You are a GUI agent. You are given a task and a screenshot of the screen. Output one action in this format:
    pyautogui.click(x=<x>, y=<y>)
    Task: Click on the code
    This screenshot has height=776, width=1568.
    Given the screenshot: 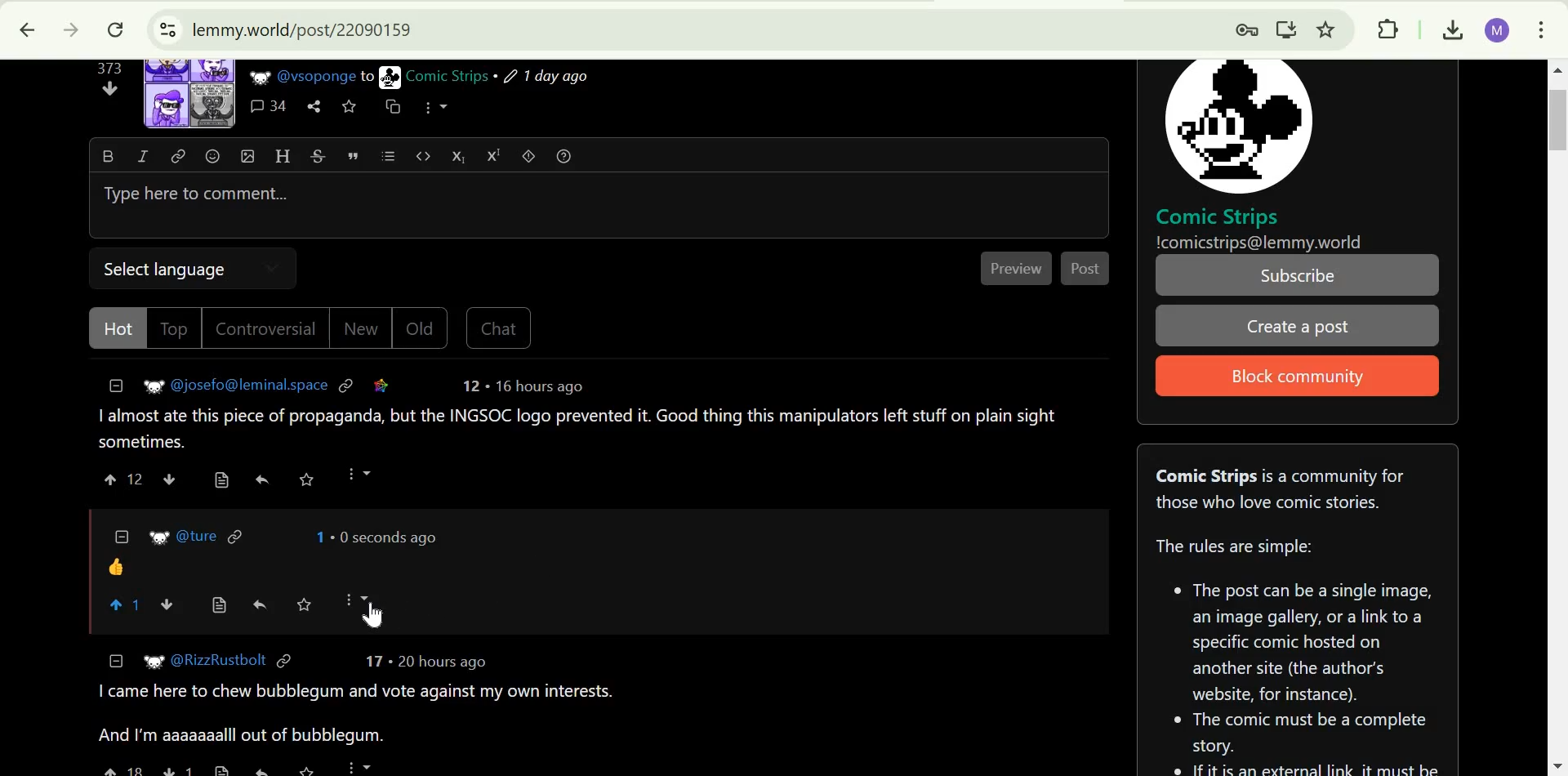 What is the action you would take?
    pyautogui.click(x=424, y=154)
    